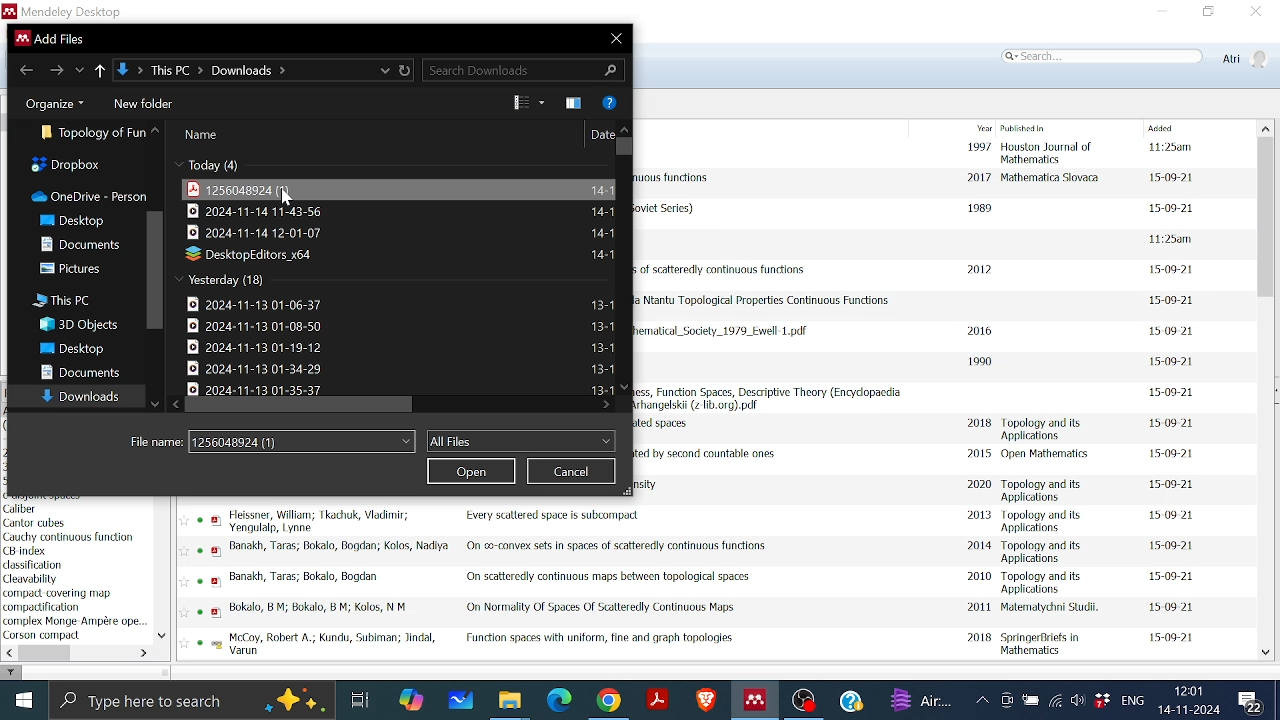 This screenshot has height=720, width=1280. I want to click on 2018, so click(975, 423).